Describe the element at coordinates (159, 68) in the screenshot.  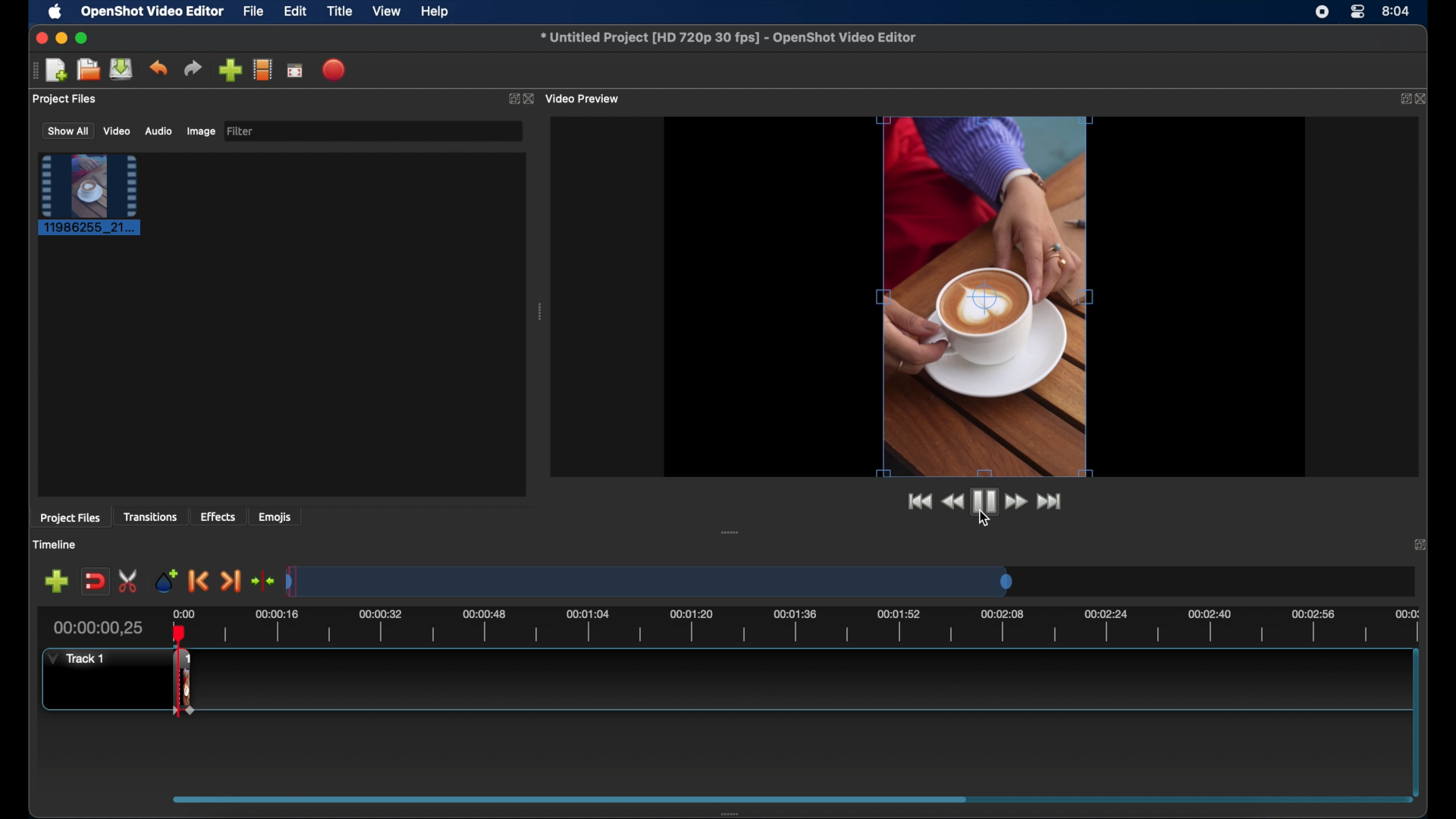
I see `undo` at that location.